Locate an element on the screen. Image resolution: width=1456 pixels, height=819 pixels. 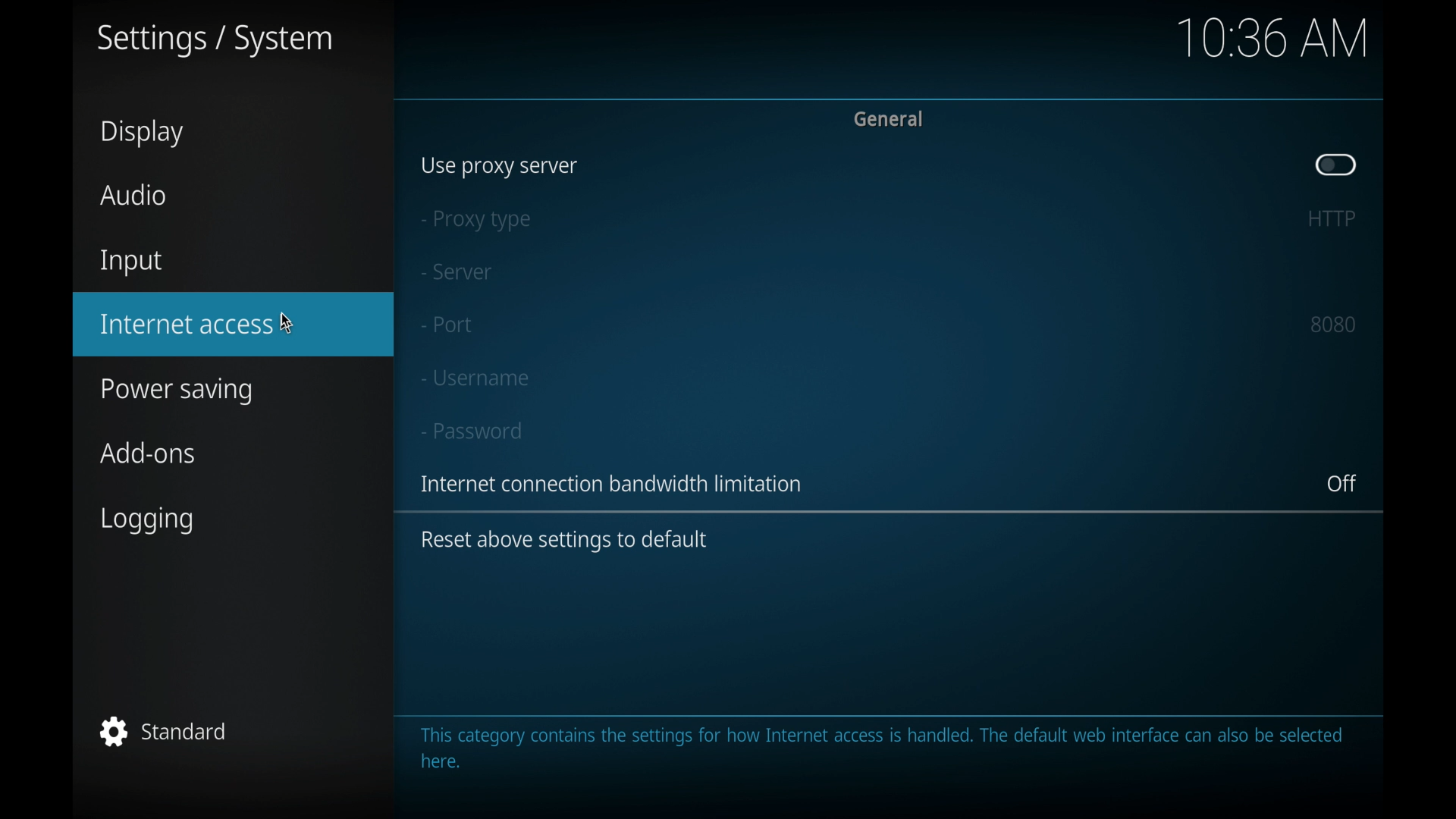
power saving is located at coordinates (177, 393).